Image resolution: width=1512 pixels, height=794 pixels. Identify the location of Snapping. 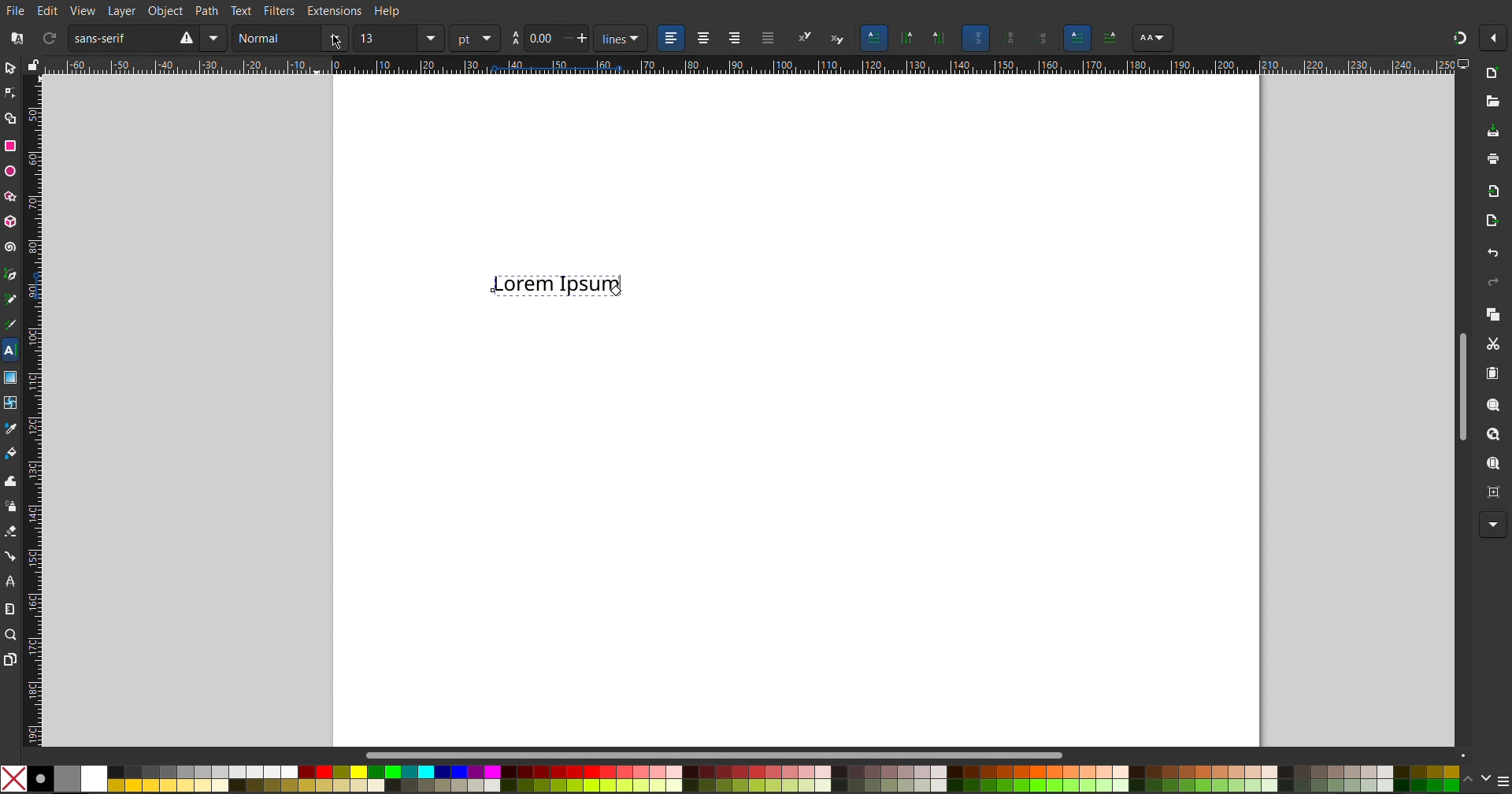
(1459, 35).